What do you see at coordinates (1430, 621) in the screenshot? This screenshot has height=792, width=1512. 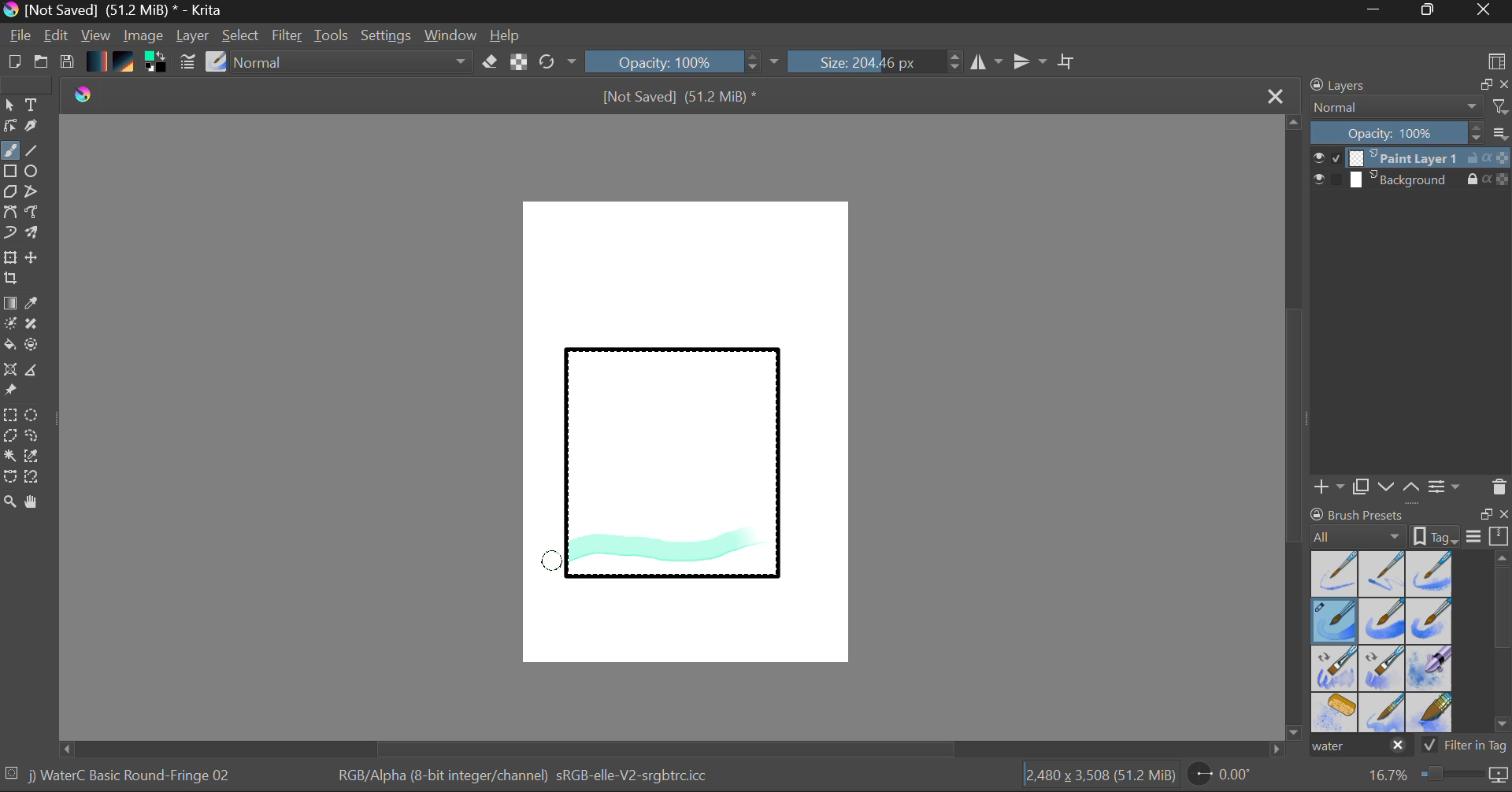 I see `Water C - Grunge` at bounding box center [1430, 621].